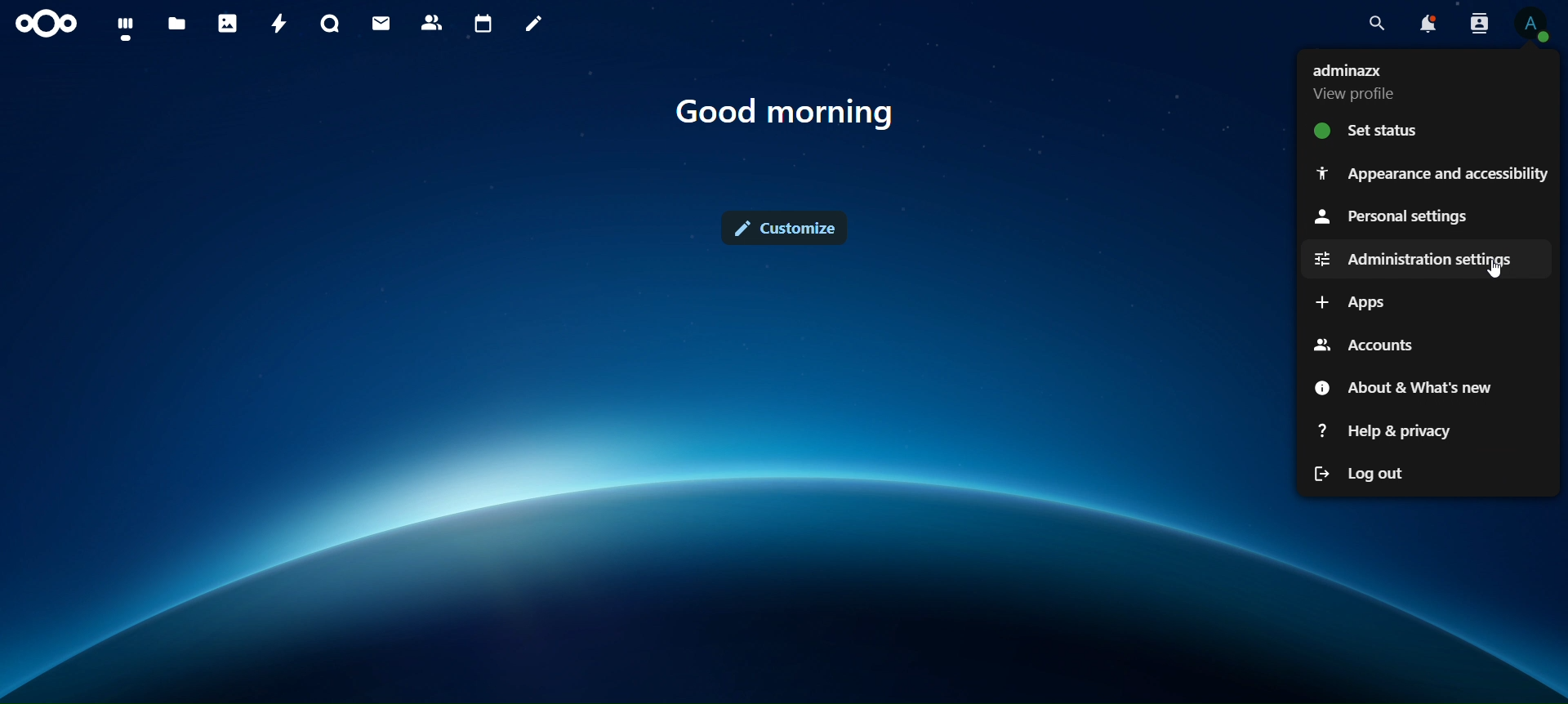 This screenshot has height=704, width=1568. What do you see at coordinates (1408, 386) in the screenshot?
I see `about & what's new` at bounding box center [1408, 386].